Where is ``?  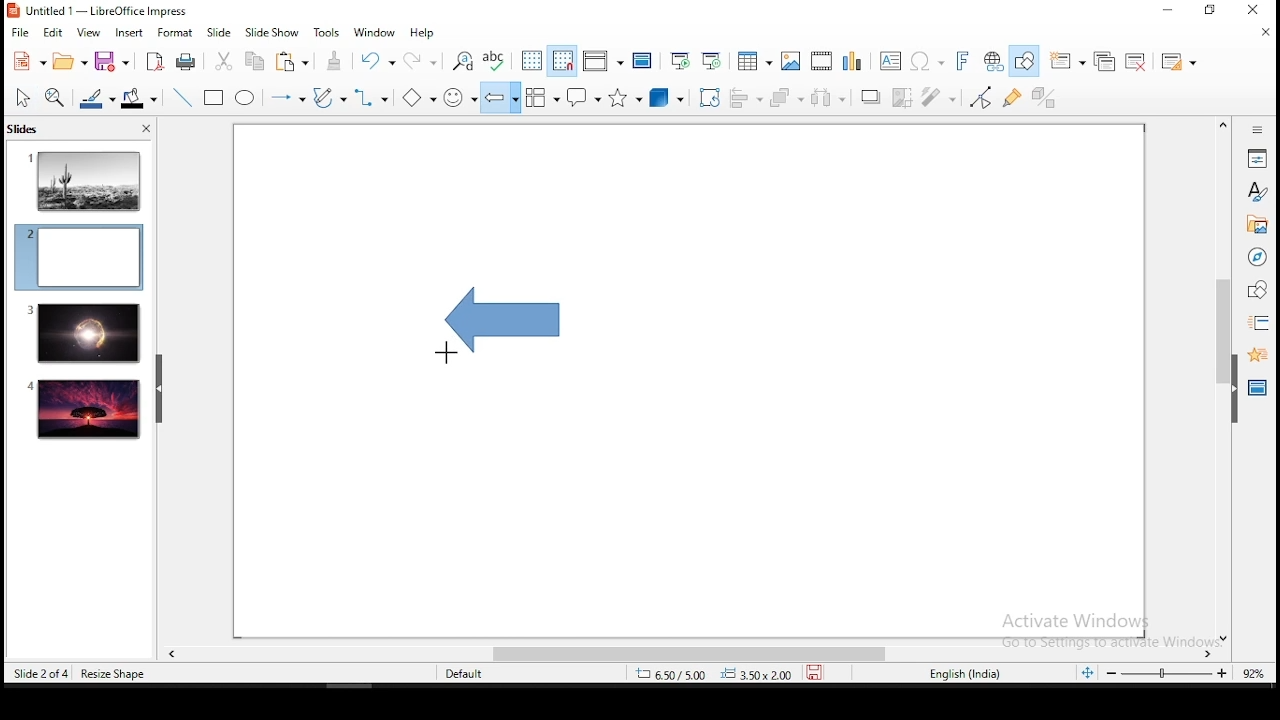  is located at coordinates (1255, 129).